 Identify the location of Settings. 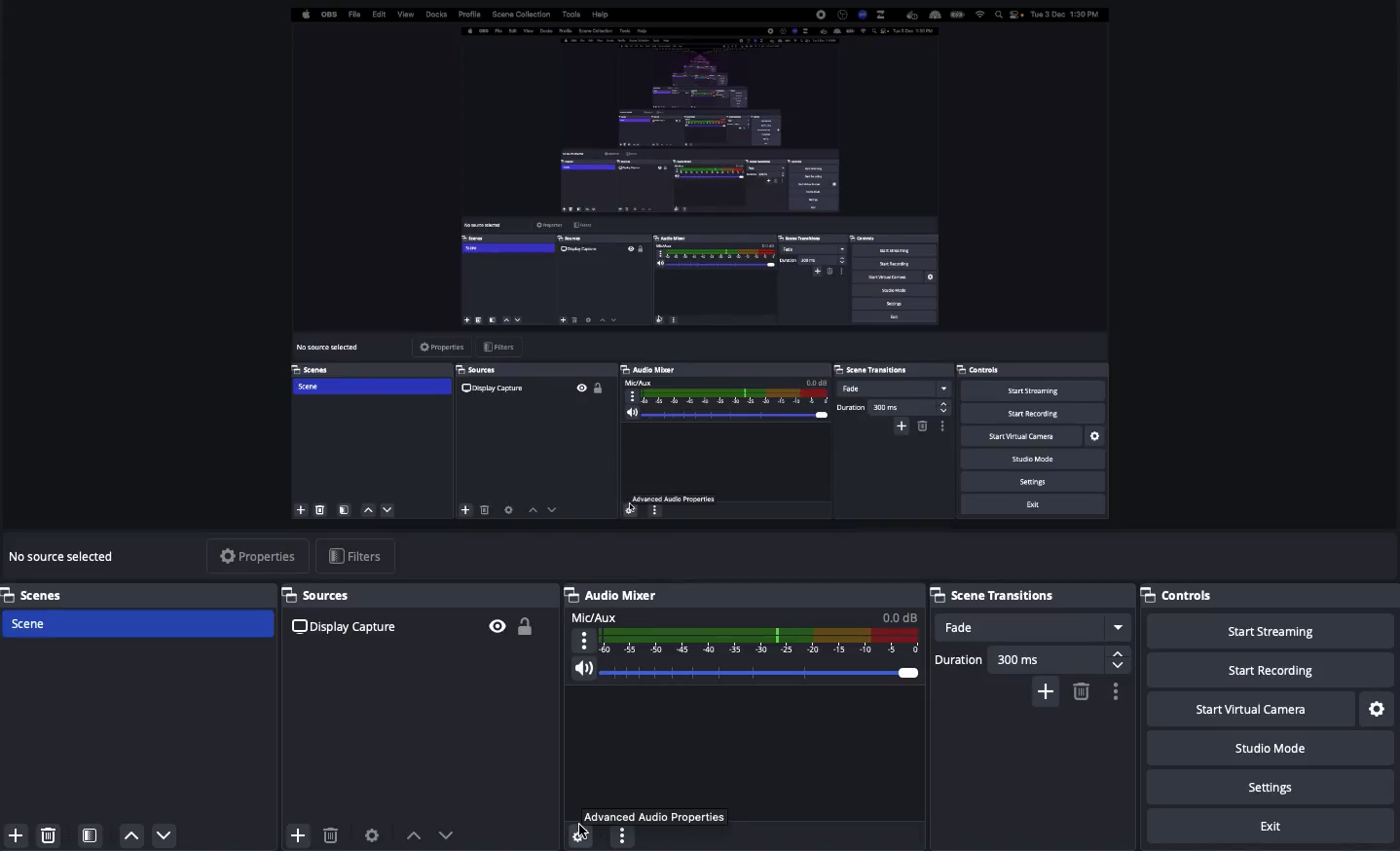
(1379, 710).